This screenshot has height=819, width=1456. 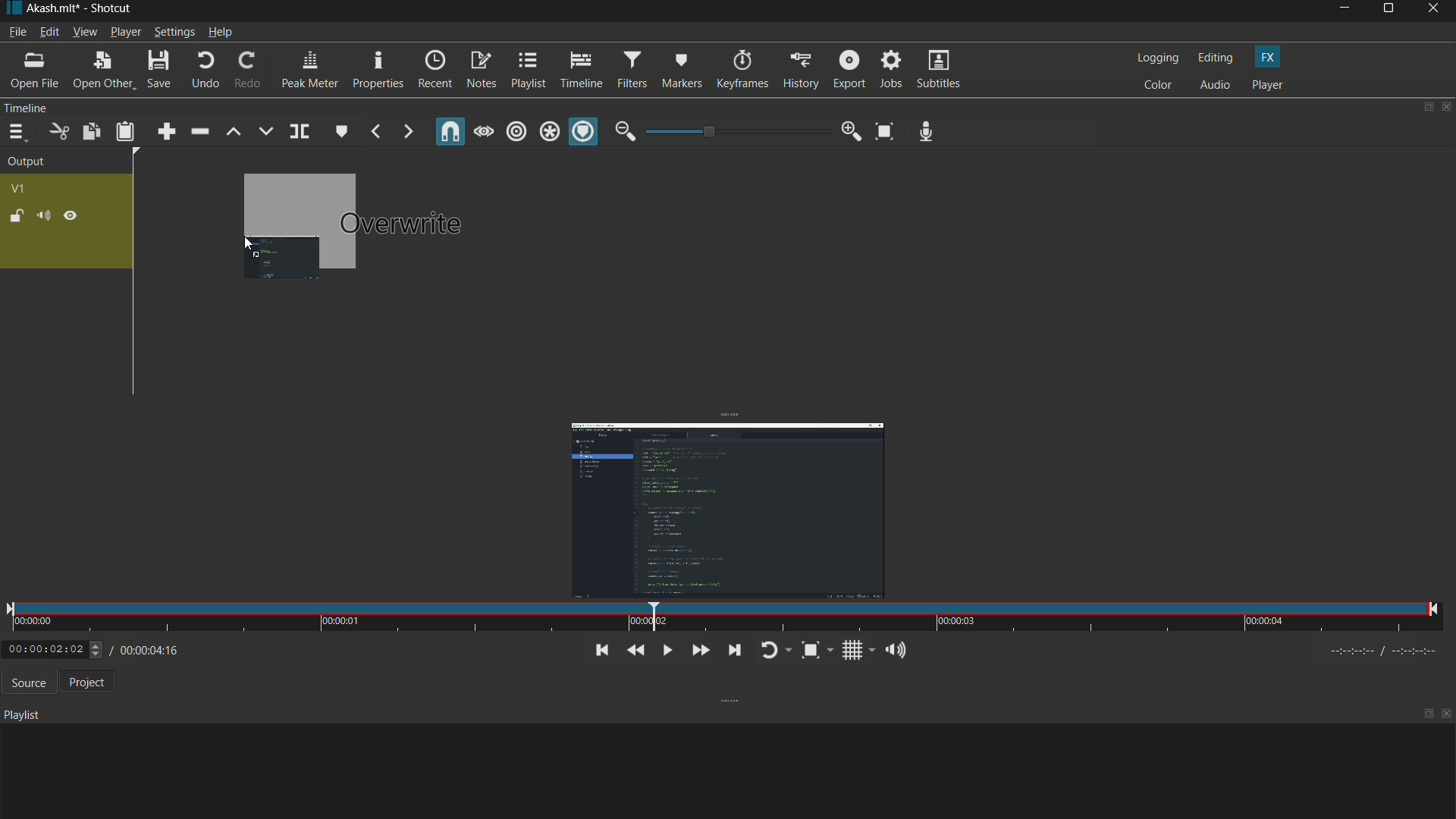 What do you see at coordinates (434, 71) in the screenshot?
I see `recent` at bounding box center [434, 71].